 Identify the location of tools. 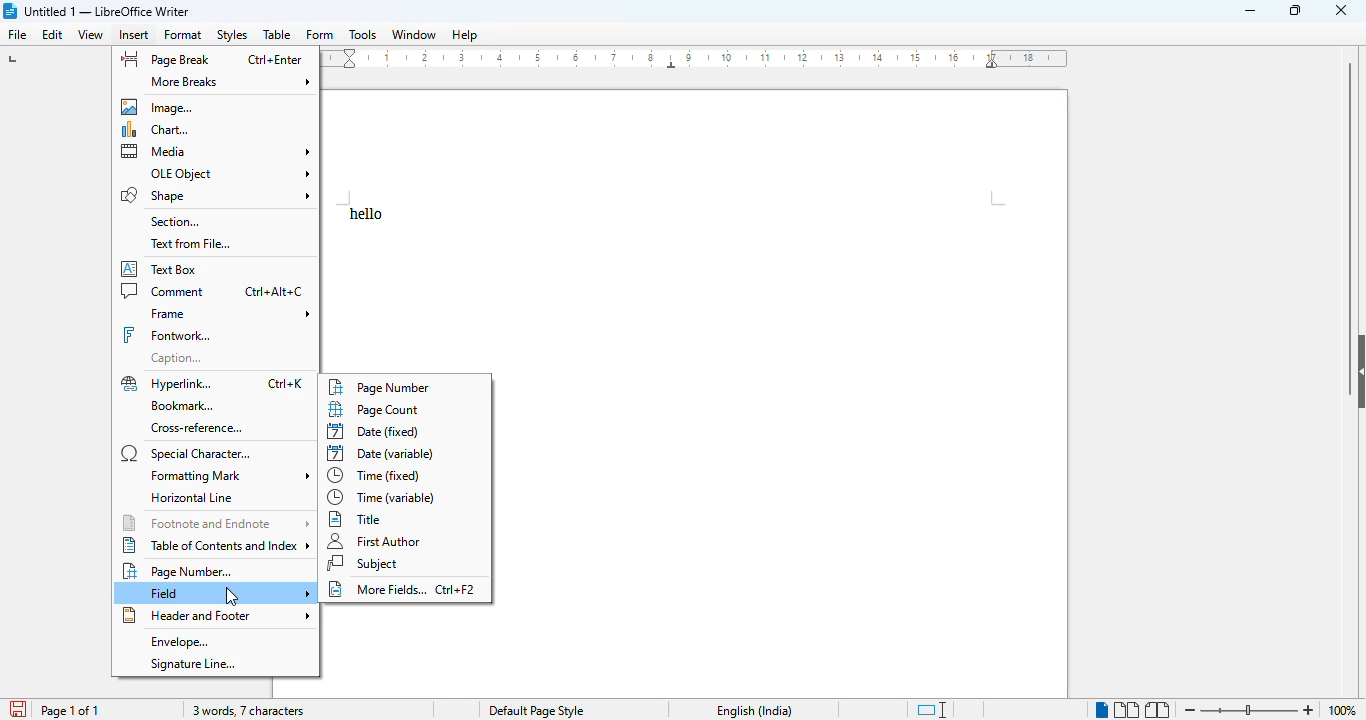
(362, 34).